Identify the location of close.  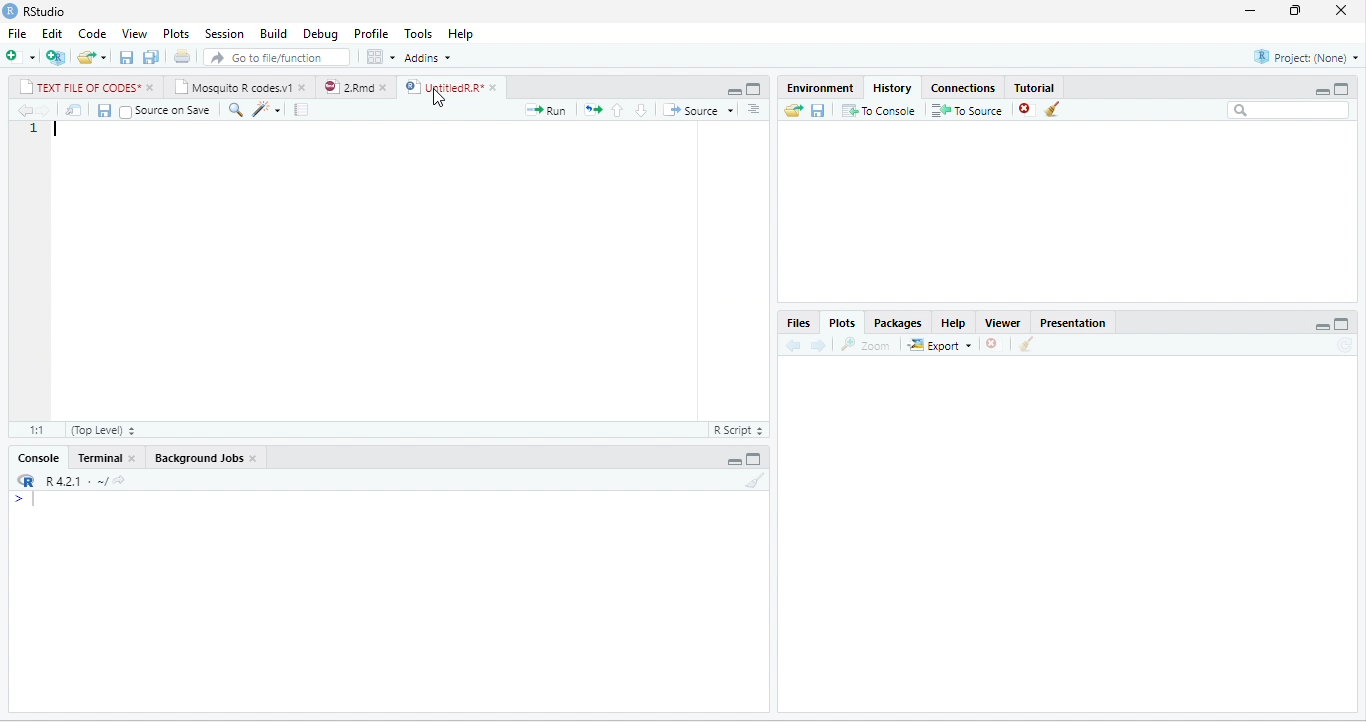
(1342, 10).